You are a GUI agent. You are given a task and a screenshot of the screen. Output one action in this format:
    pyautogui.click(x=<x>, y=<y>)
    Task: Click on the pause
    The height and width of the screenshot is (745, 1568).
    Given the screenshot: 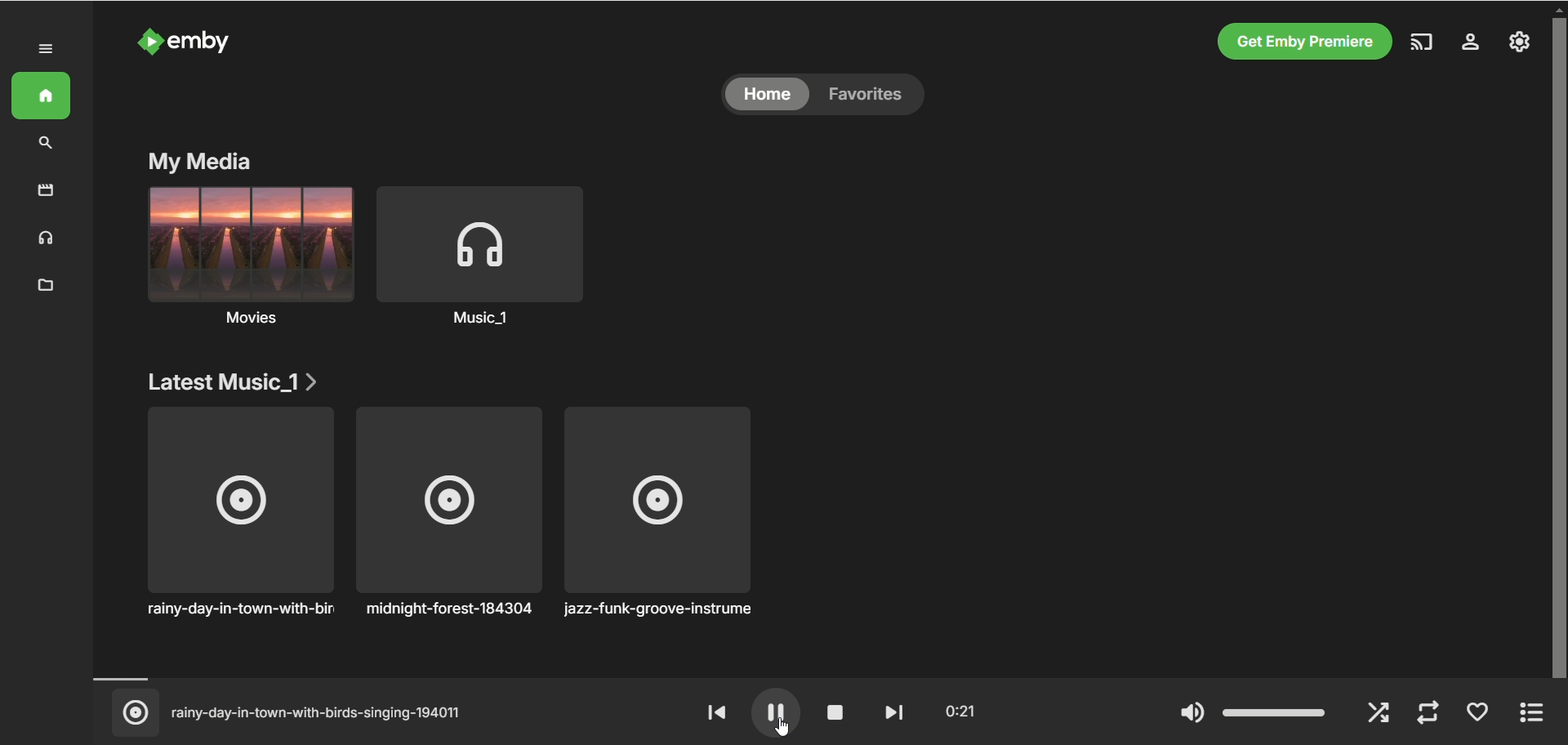 What is the action you would take?
    pyautogui.click(x=775, y=712)
    